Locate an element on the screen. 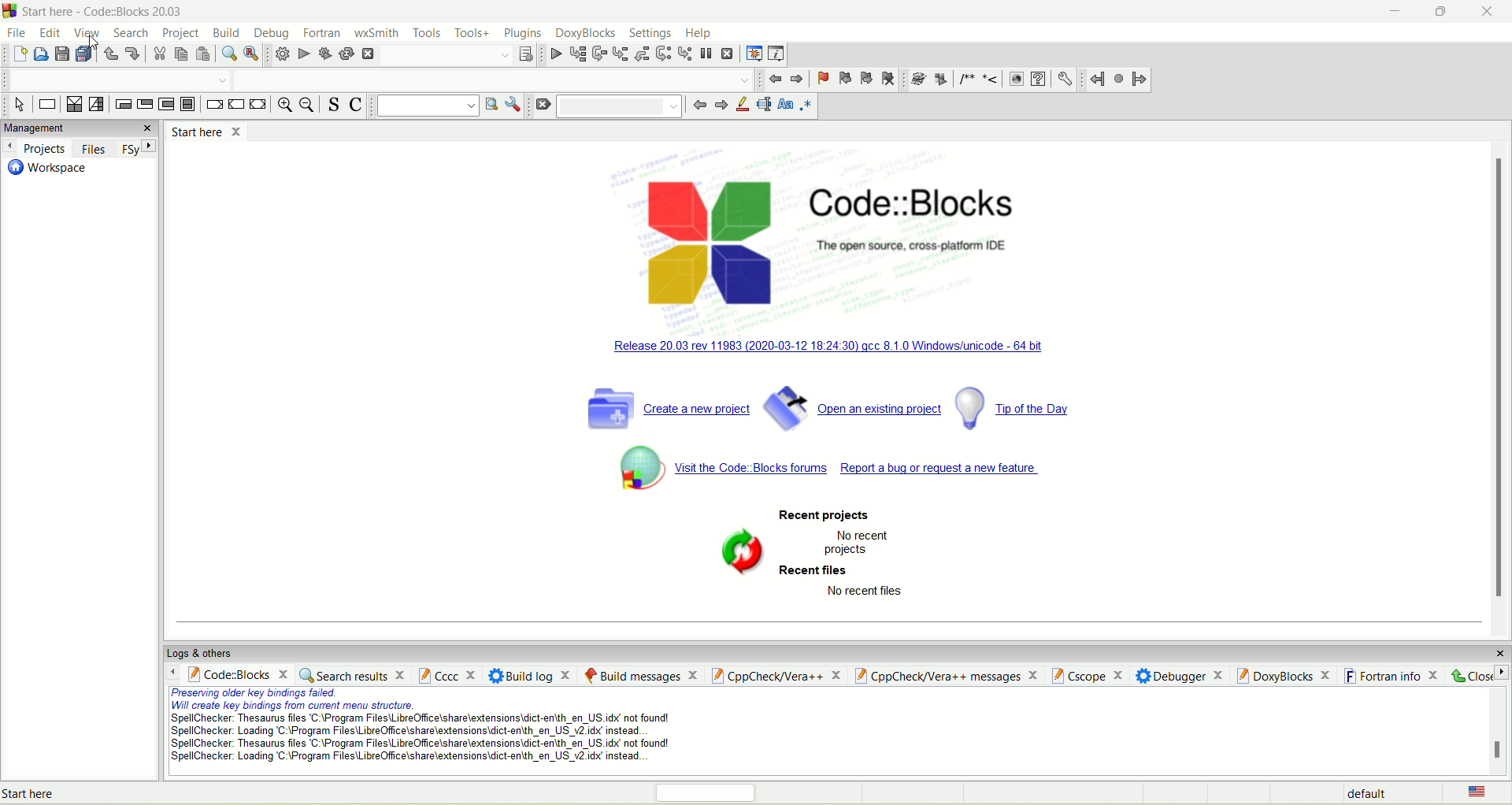 The width and height of the screenshot is (1512, 805). last jump is located at coordinates (1117, 78).